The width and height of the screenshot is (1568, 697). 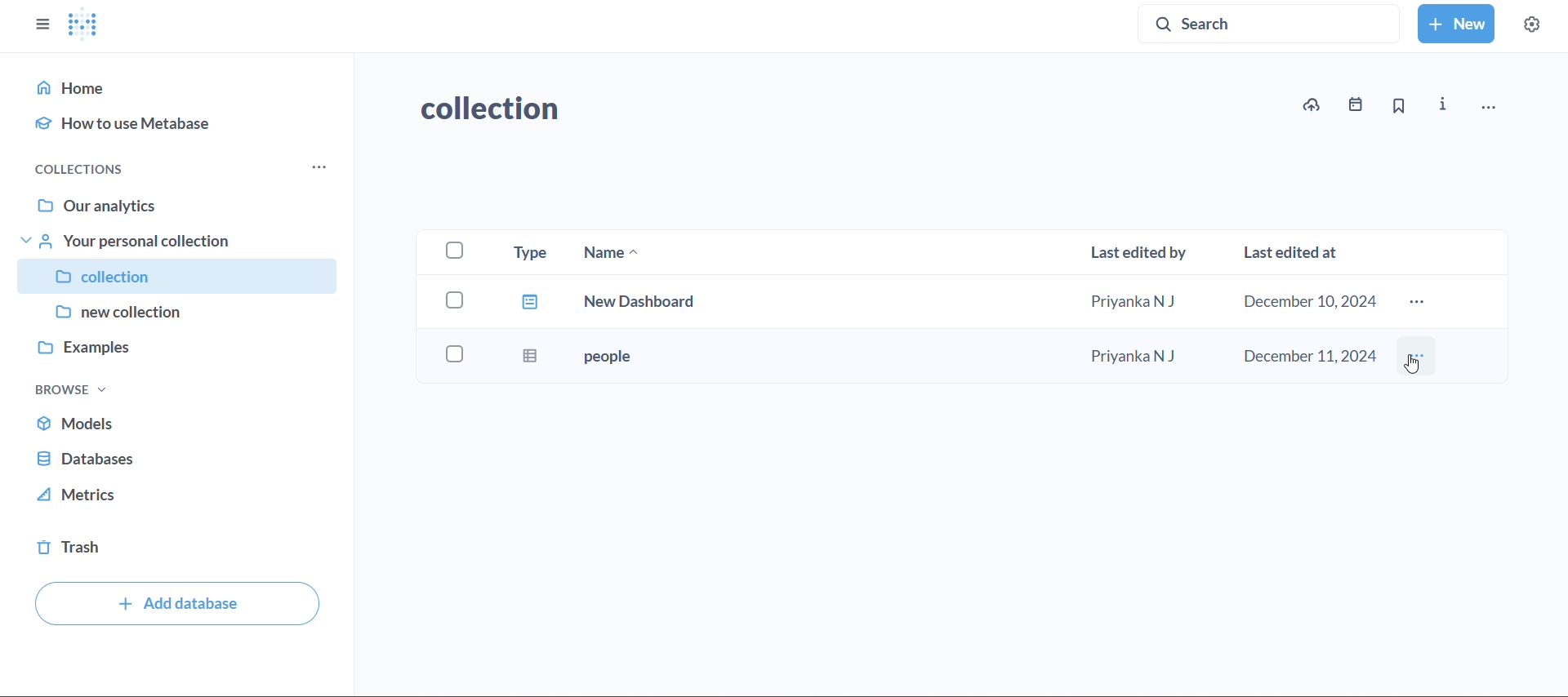 What do you see at coordinates (523, 309) in the screenshot?
I see `type` at bounding box center [523, 309].